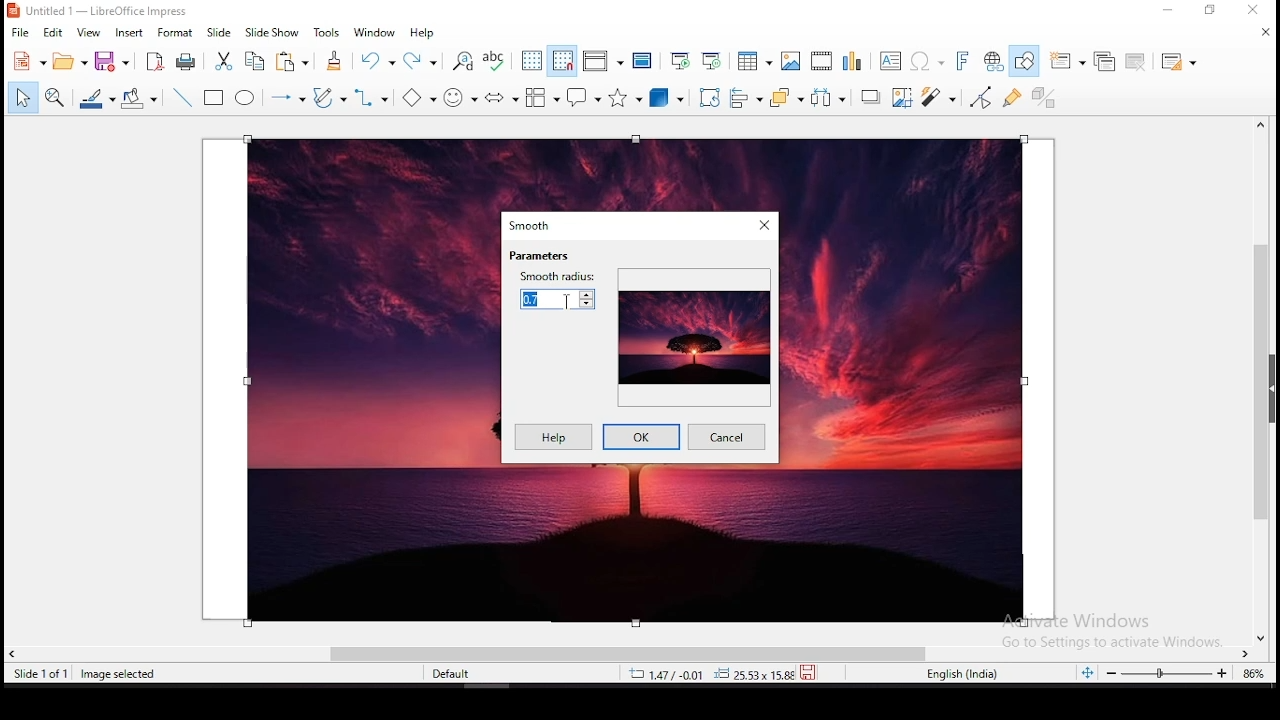  Describe the element at coordinates (541, 97) in the screenshot. I see `flowchart` at that location.